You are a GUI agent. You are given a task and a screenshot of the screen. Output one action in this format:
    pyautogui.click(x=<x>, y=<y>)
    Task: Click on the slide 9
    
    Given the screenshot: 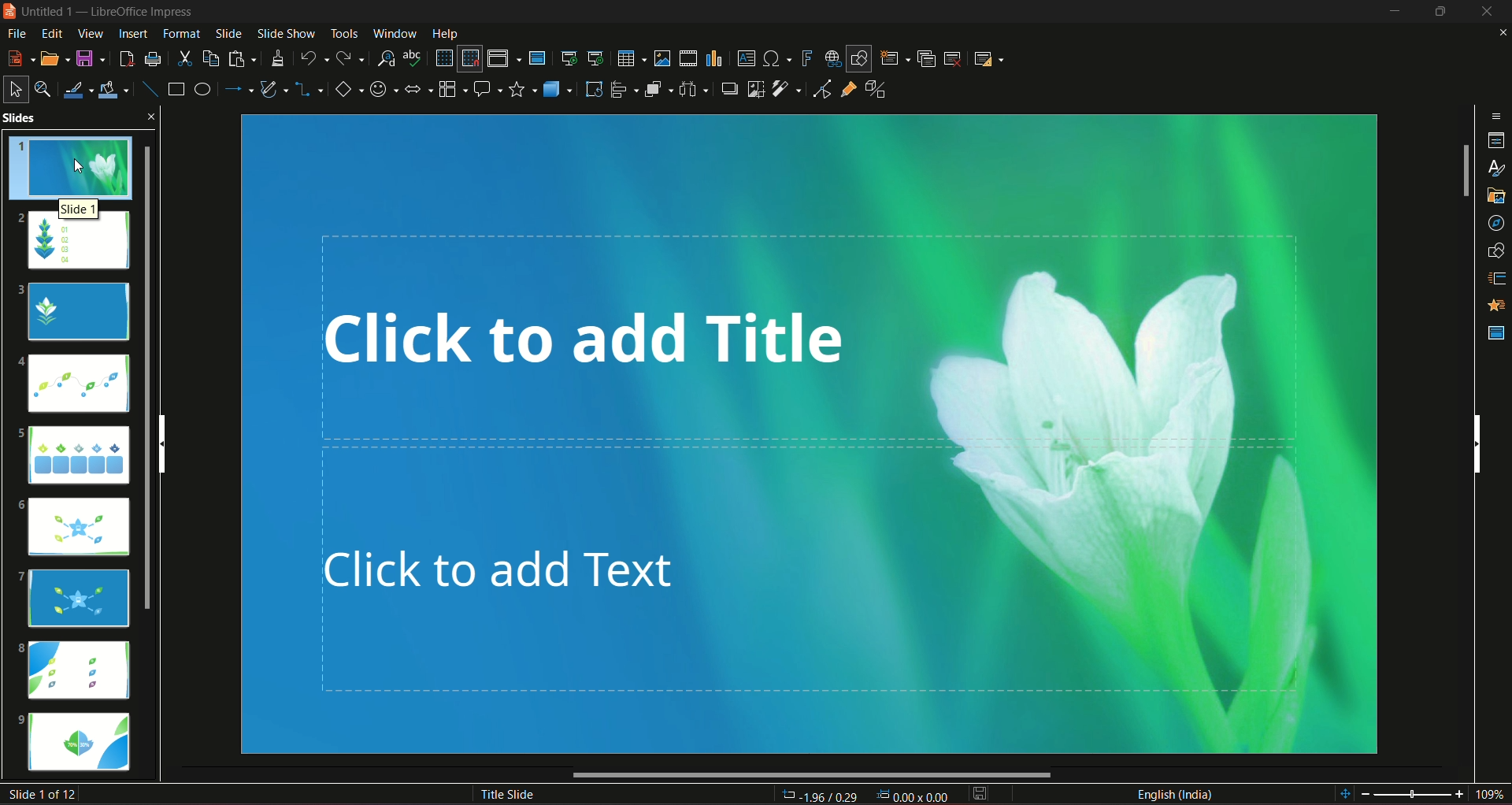 What is the action you would take?
    pyautogui.click(x=83, y=744)
    